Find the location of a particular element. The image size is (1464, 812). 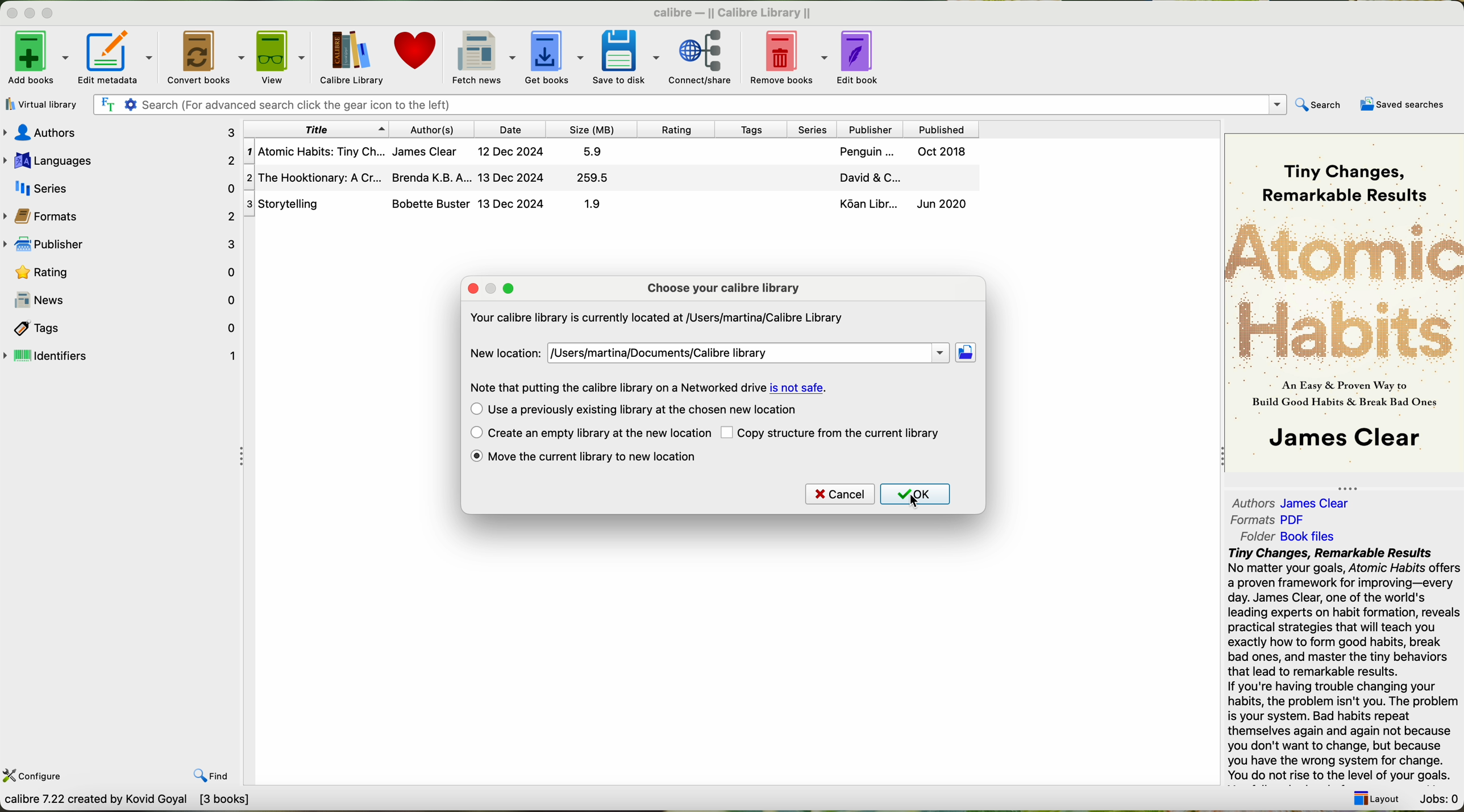

Jobs: 0 is located at coordinates (1438, 798).